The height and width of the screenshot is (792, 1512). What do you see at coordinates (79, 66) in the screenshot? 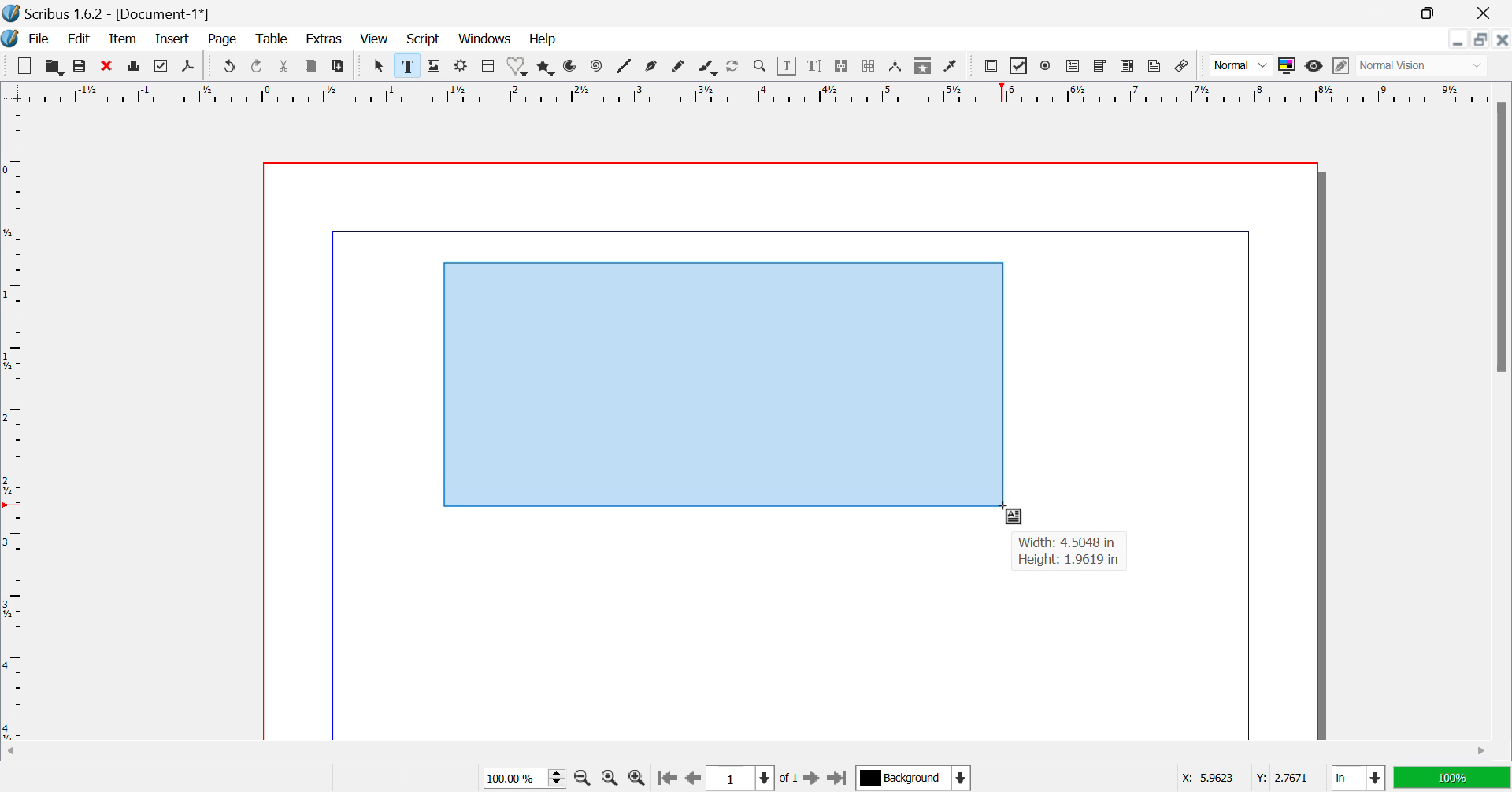
I see `Save` at bounding box center [79, 66].